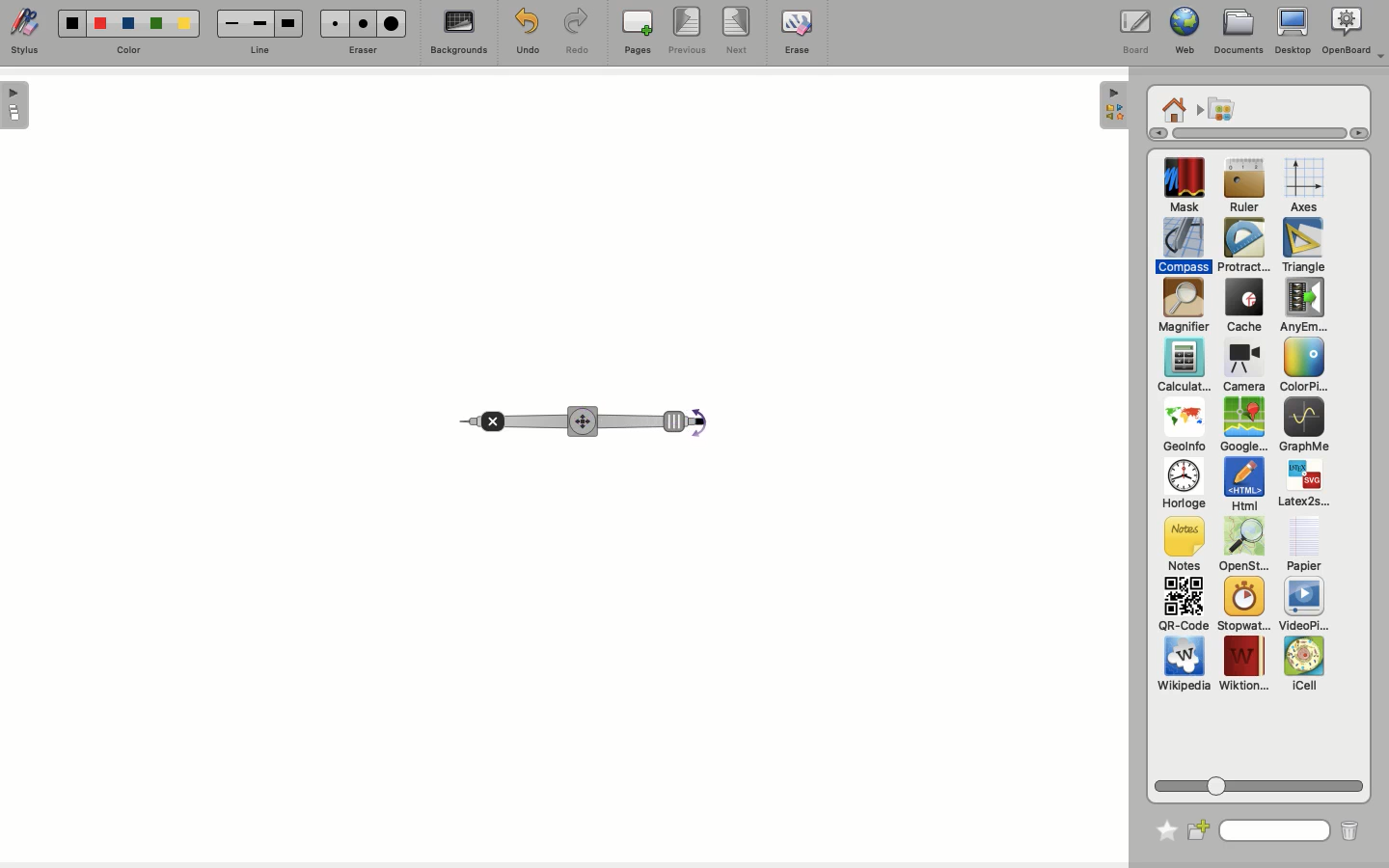  What do you see at coordinates (1183, 607) in the screenshot?
I see `QR code` at bounding box center [1183, 607].